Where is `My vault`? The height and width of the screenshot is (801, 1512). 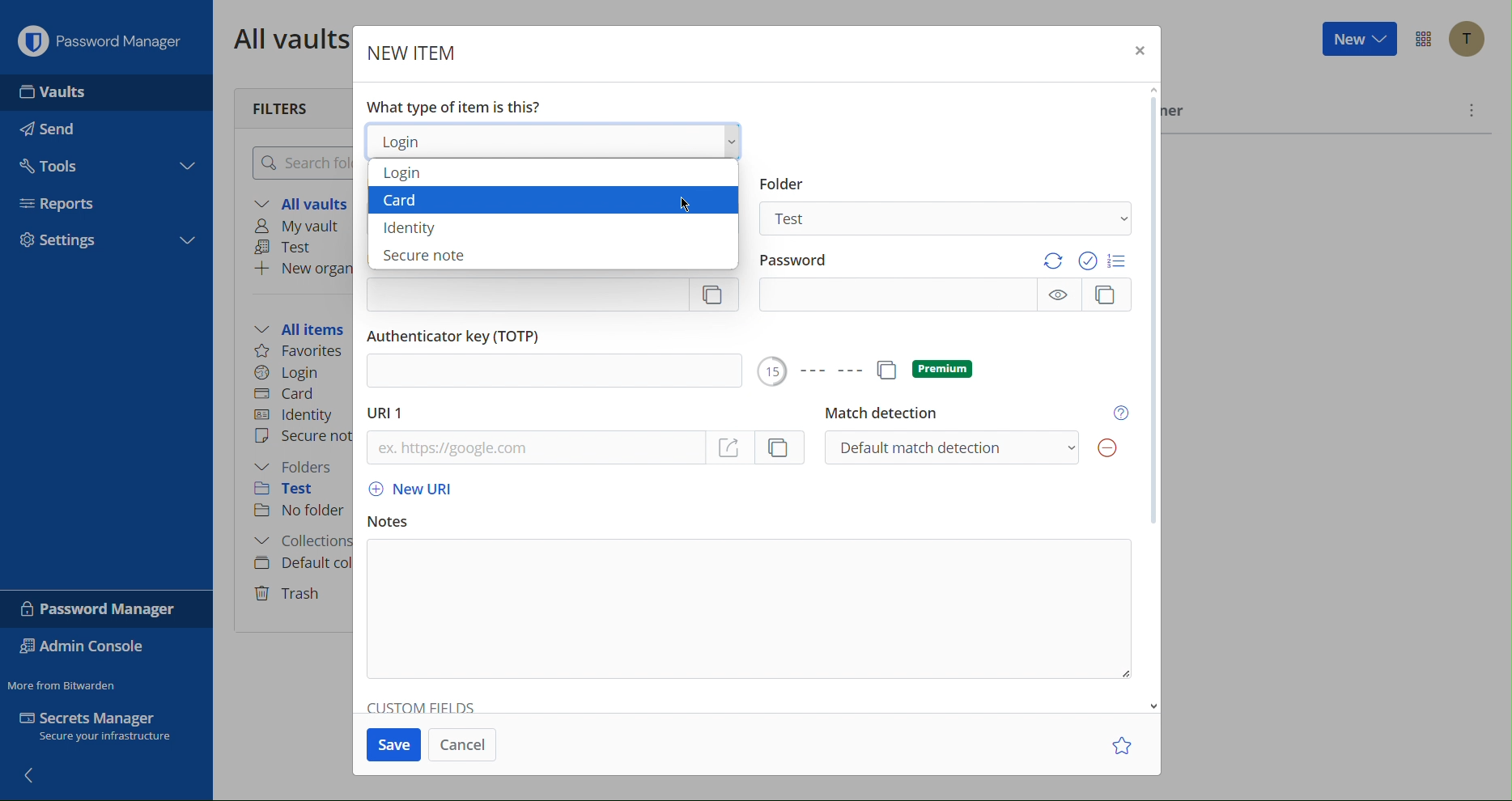 My vault is located at coordinates (295, 226).